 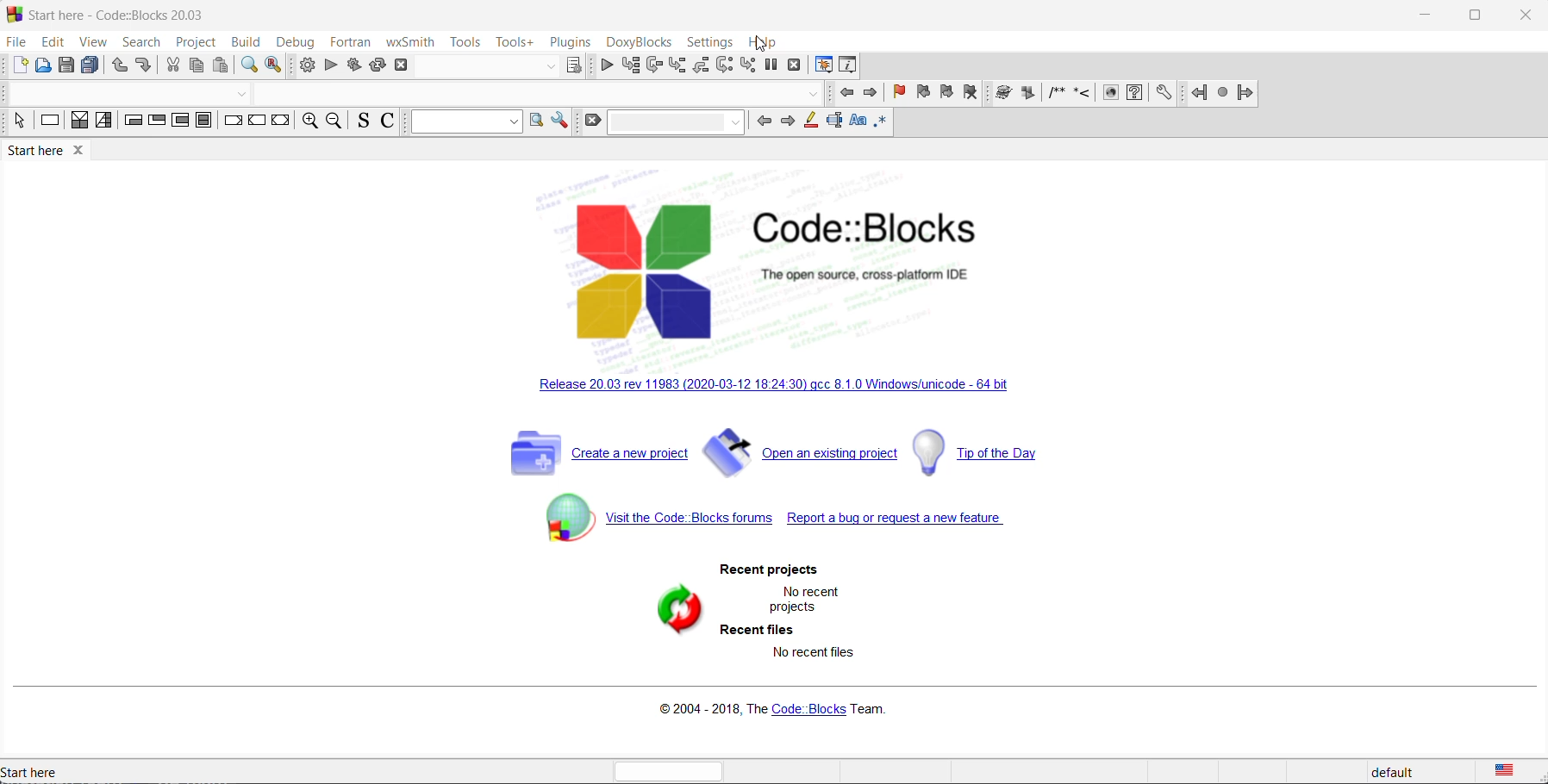 I want to click on next , so click(x=871, y=94).